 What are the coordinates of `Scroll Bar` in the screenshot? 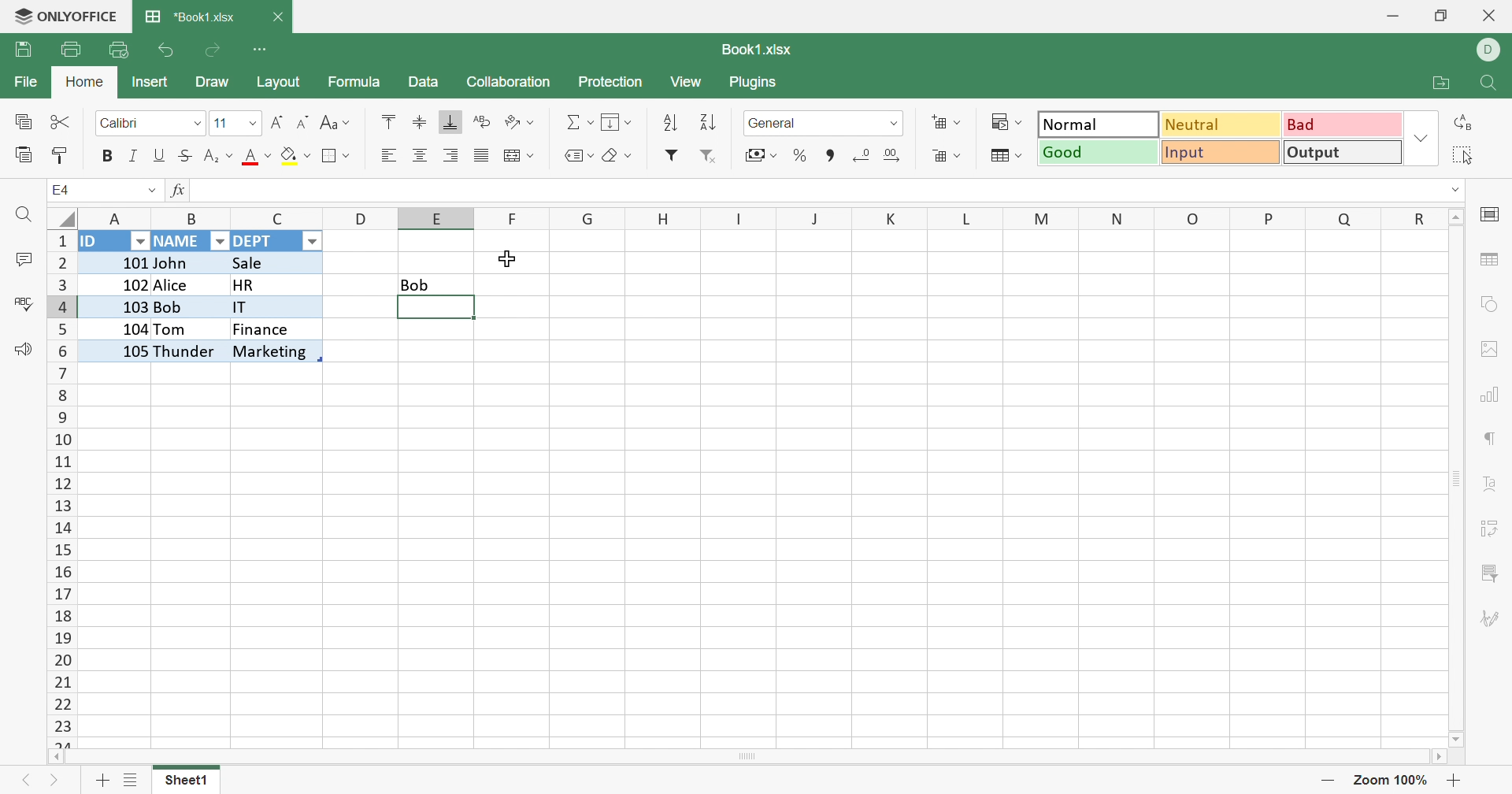 It's located at (1456, 477).